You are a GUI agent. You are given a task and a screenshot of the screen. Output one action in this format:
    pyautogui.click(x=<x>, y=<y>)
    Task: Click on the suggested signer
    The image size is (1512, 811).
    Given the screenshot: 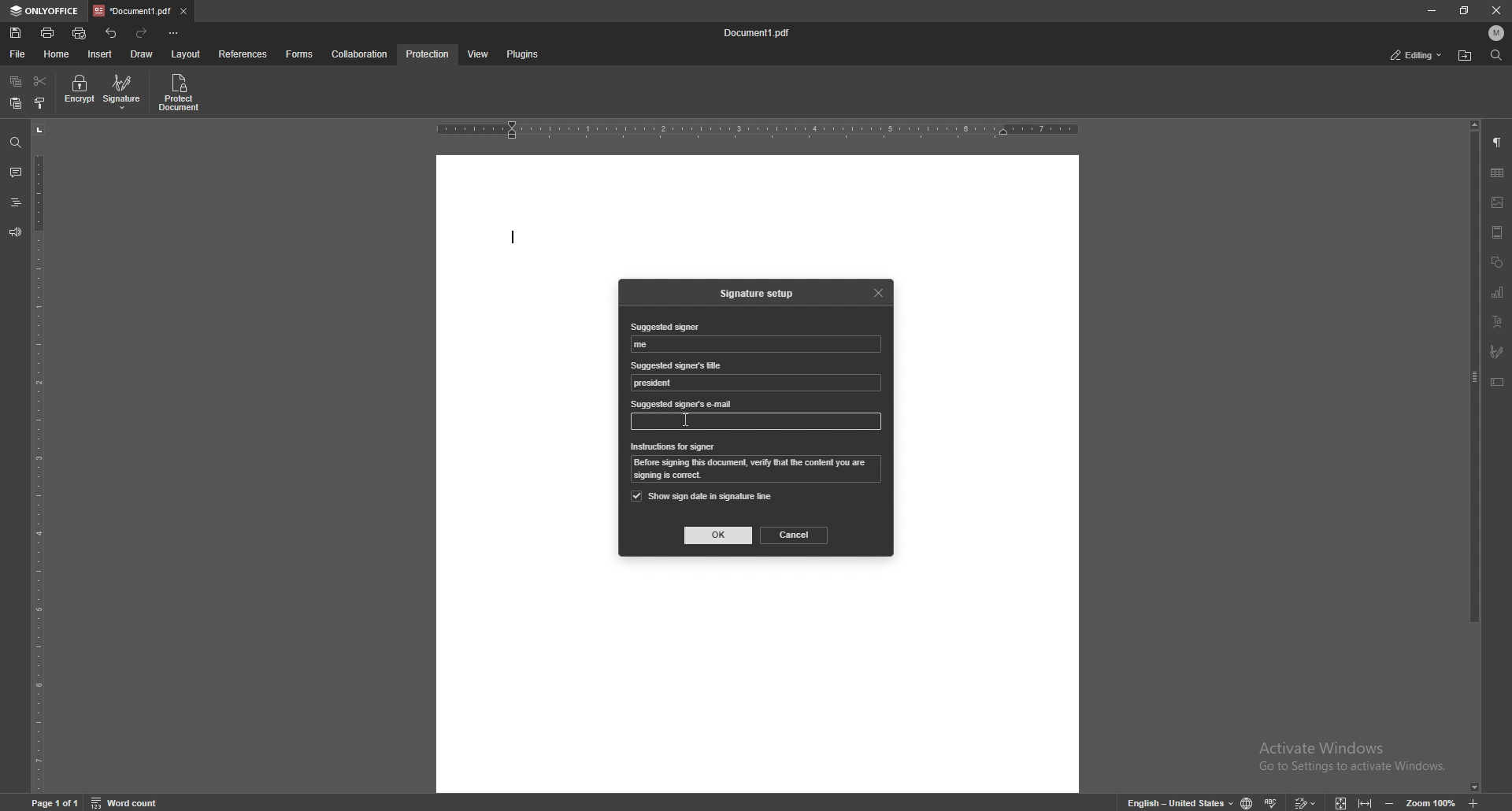 What is the action you would take?
    pyautogui.click(x=647, y=345)
    